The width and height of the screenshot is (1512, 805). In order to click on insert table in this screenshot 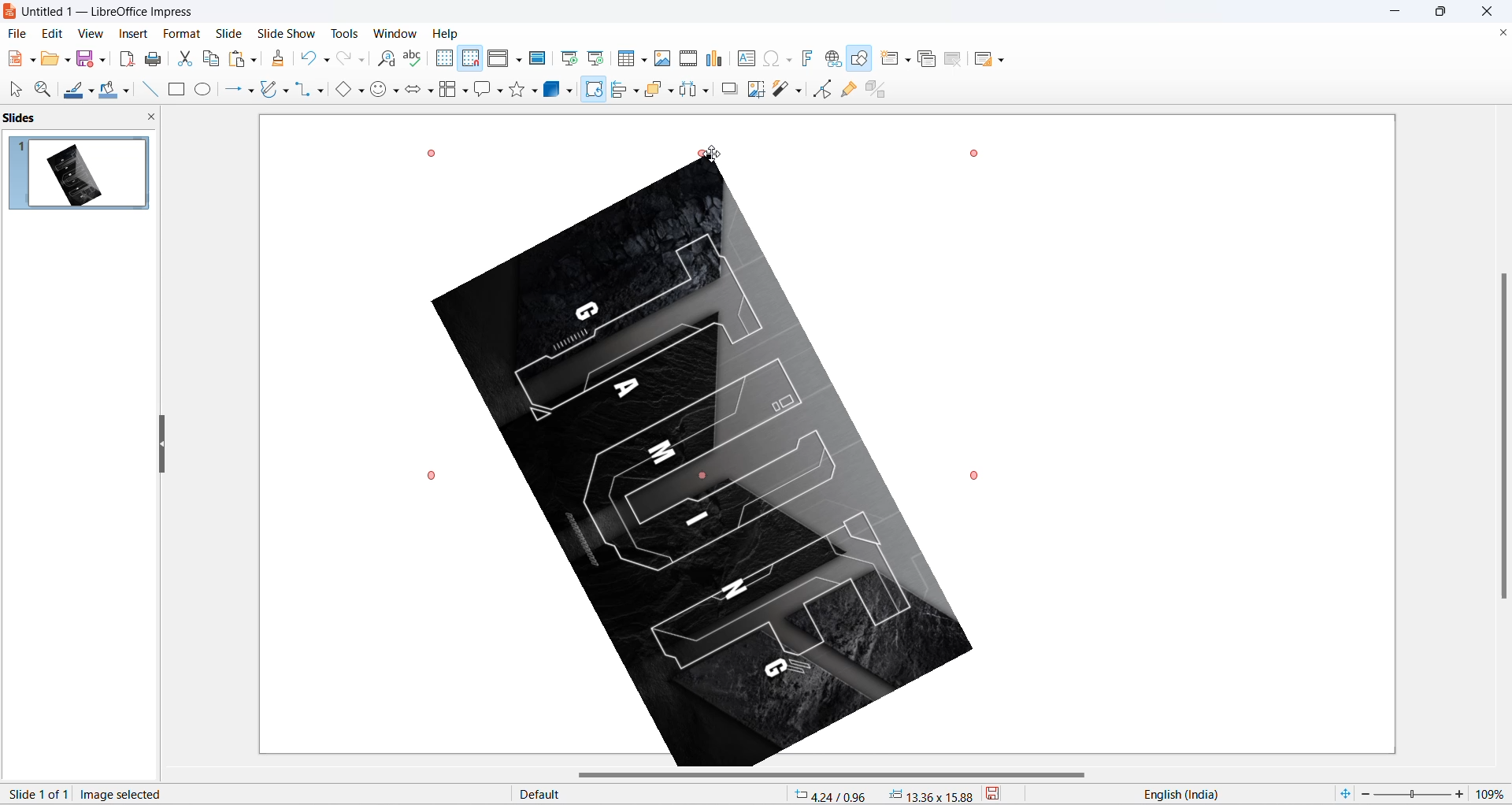, I will do `click(627, 59)`.